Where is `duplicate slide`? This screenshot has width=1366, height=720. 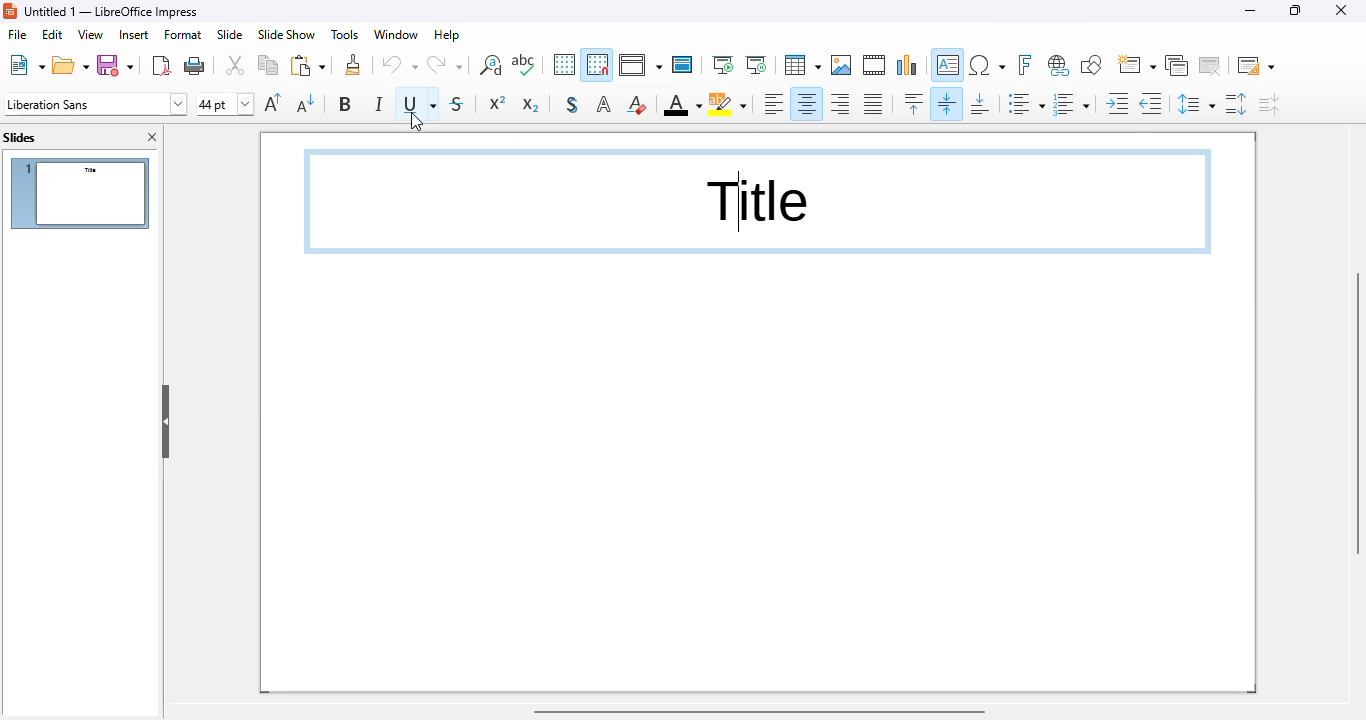 duplicate slide is located at coordinates (1177, 65).